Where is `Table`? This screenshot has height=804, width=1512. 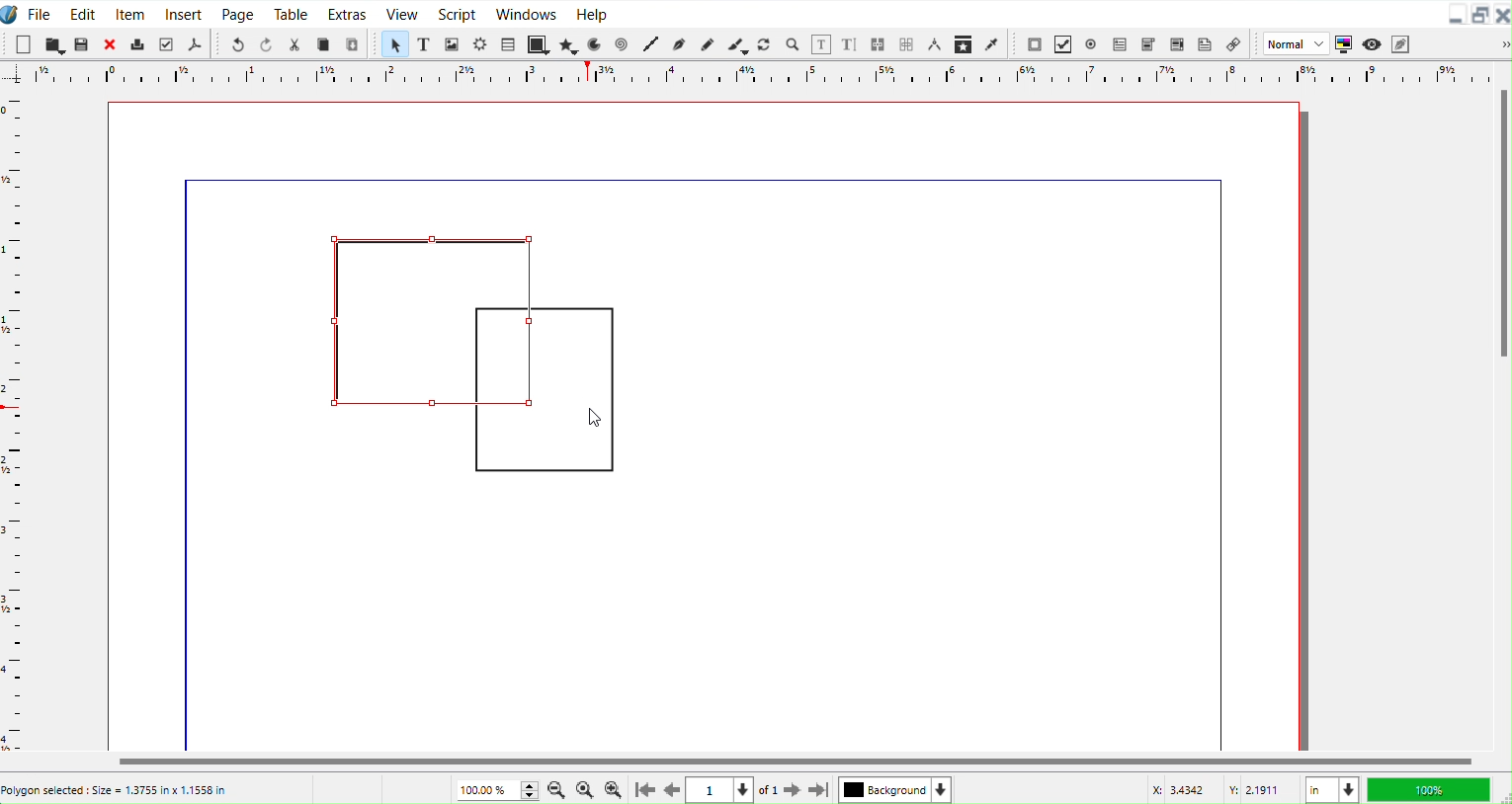
Table is located at coordinates (292, 13).